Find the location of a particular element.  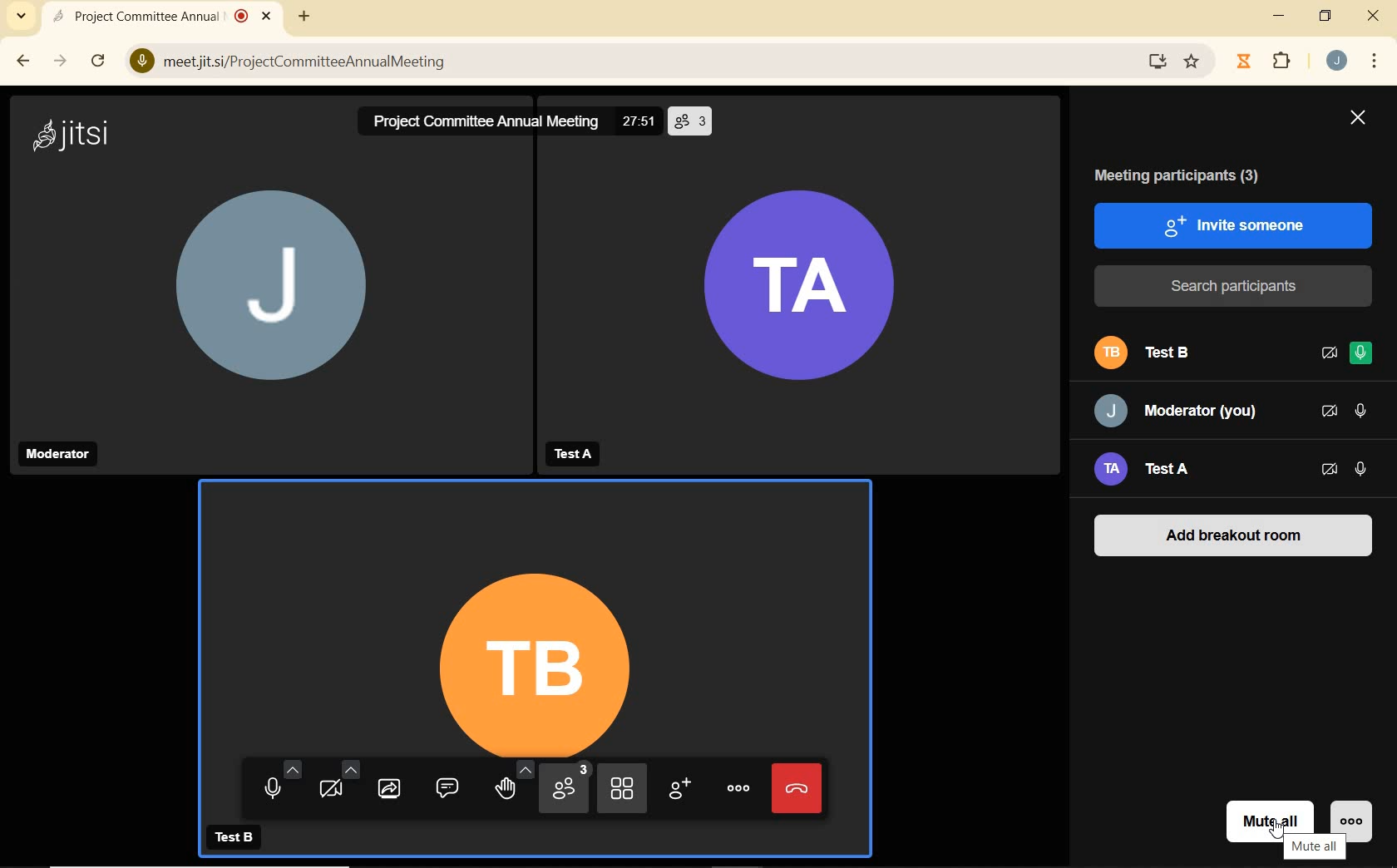

ADD NEW TAB is located at coordinates (304, 16).